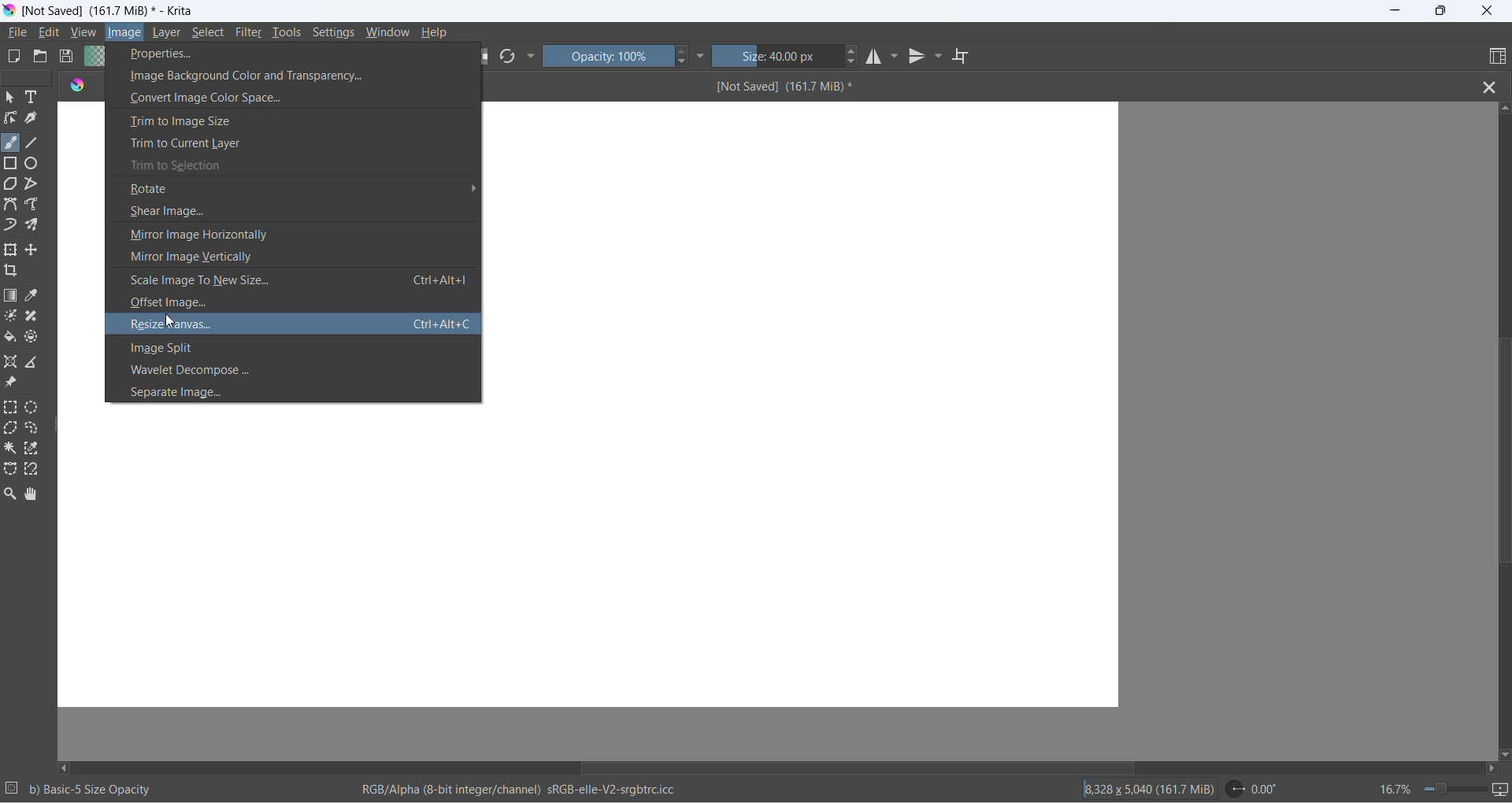 The height and width of the screenshot is (803, 1512). I want to click on vertical scroll bar, so click(1500, 454).